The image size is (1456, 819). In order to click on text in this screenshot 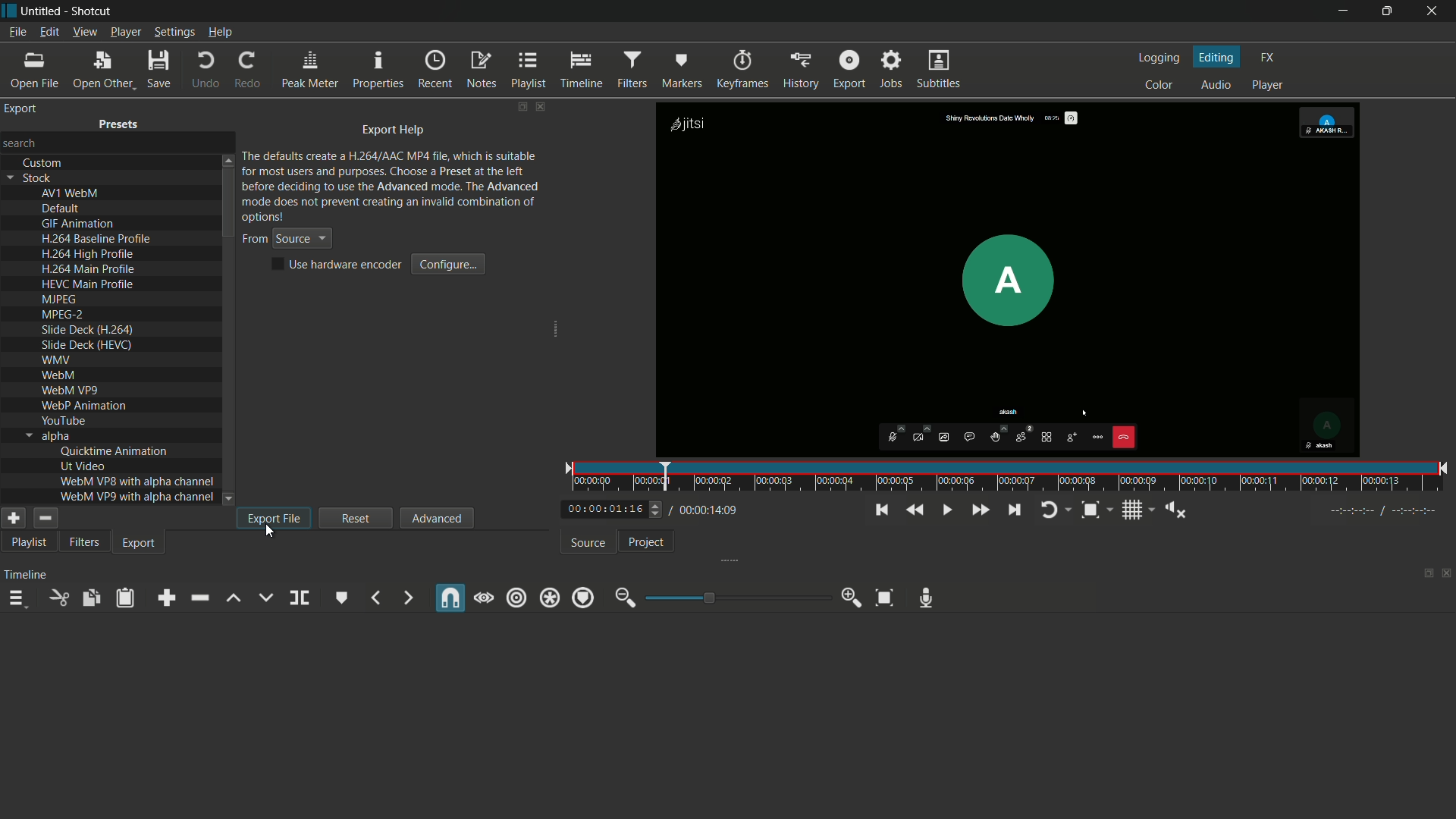, I will do `click(56, 436)`.